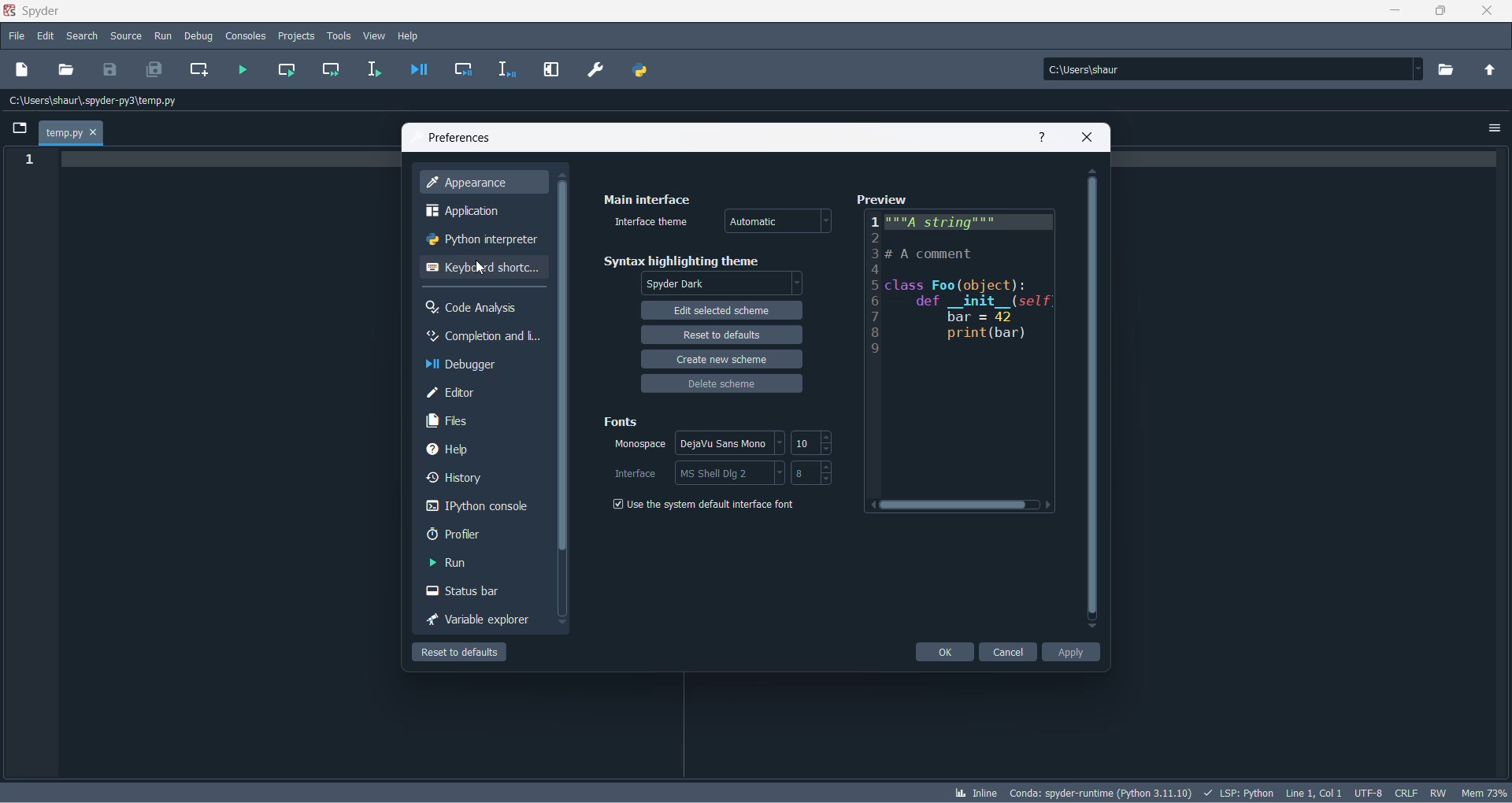 Image resolution: width=1512 pixels, height=803 pixels. I want to click on new file, so click(22, 70).